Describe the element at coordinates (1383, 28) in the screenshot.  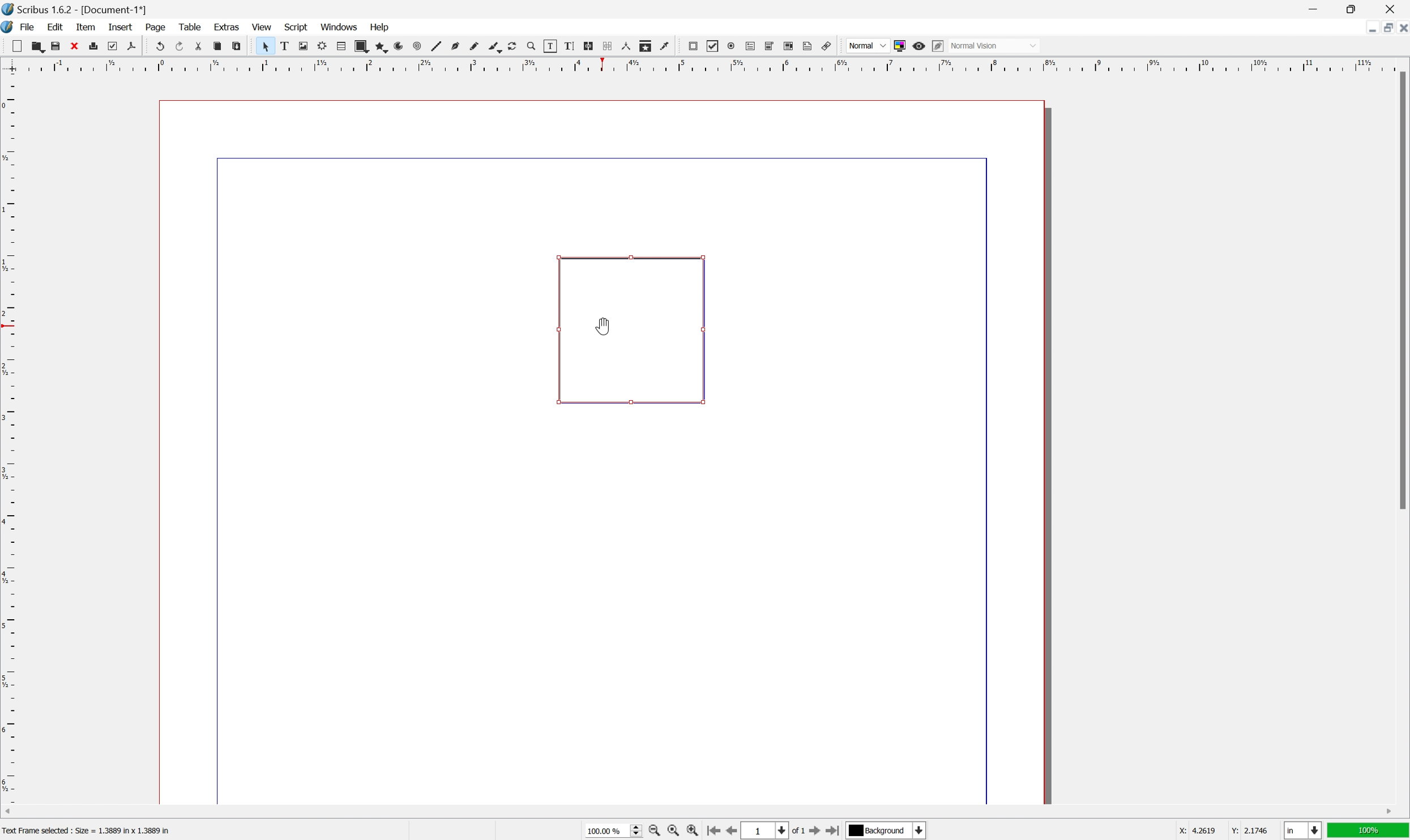
I see `restore down` at that location.